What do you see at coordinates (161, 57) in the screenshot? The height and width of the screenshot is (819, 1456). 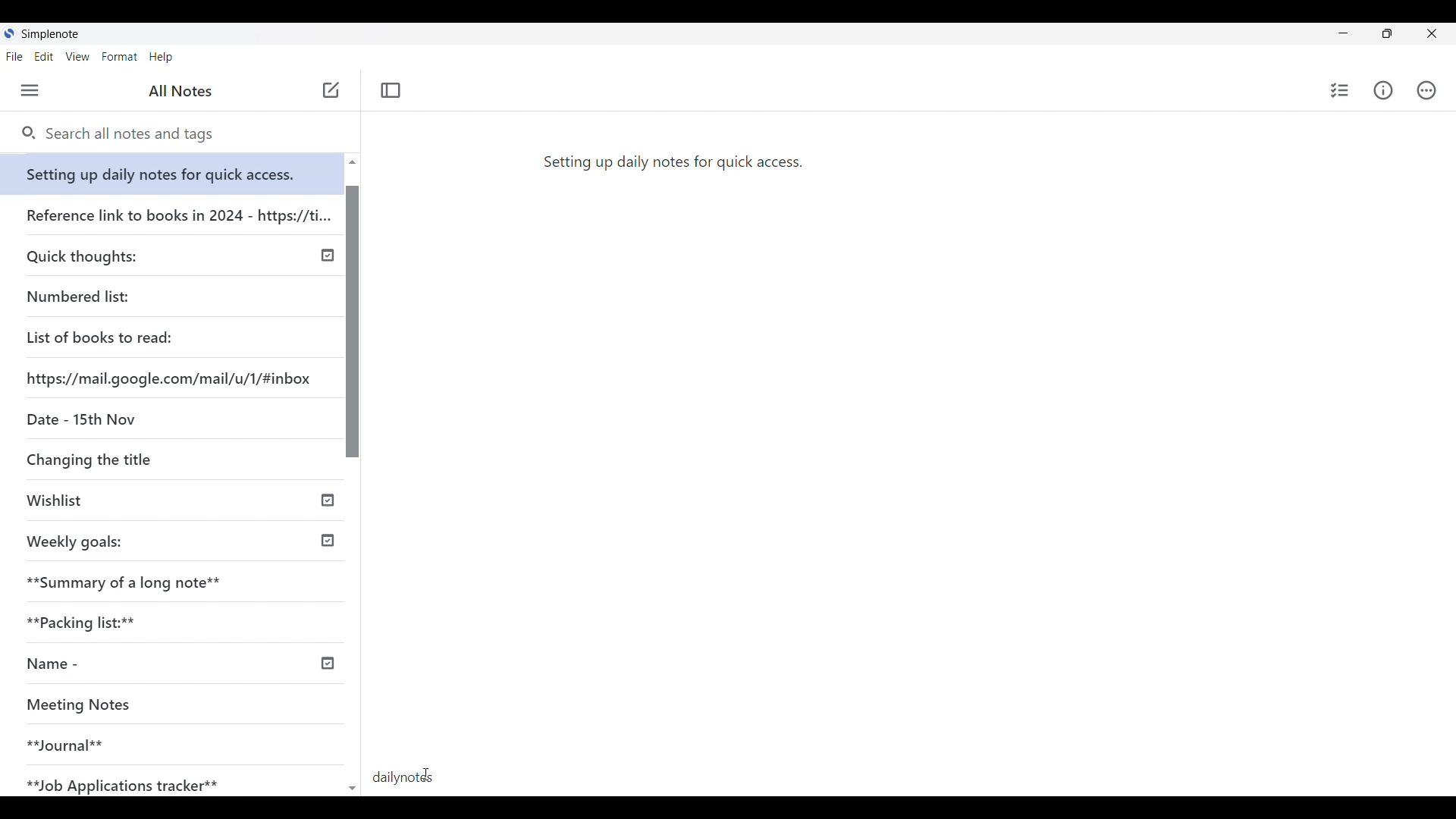 I see `Help menu` at bounding box center [161, 57].